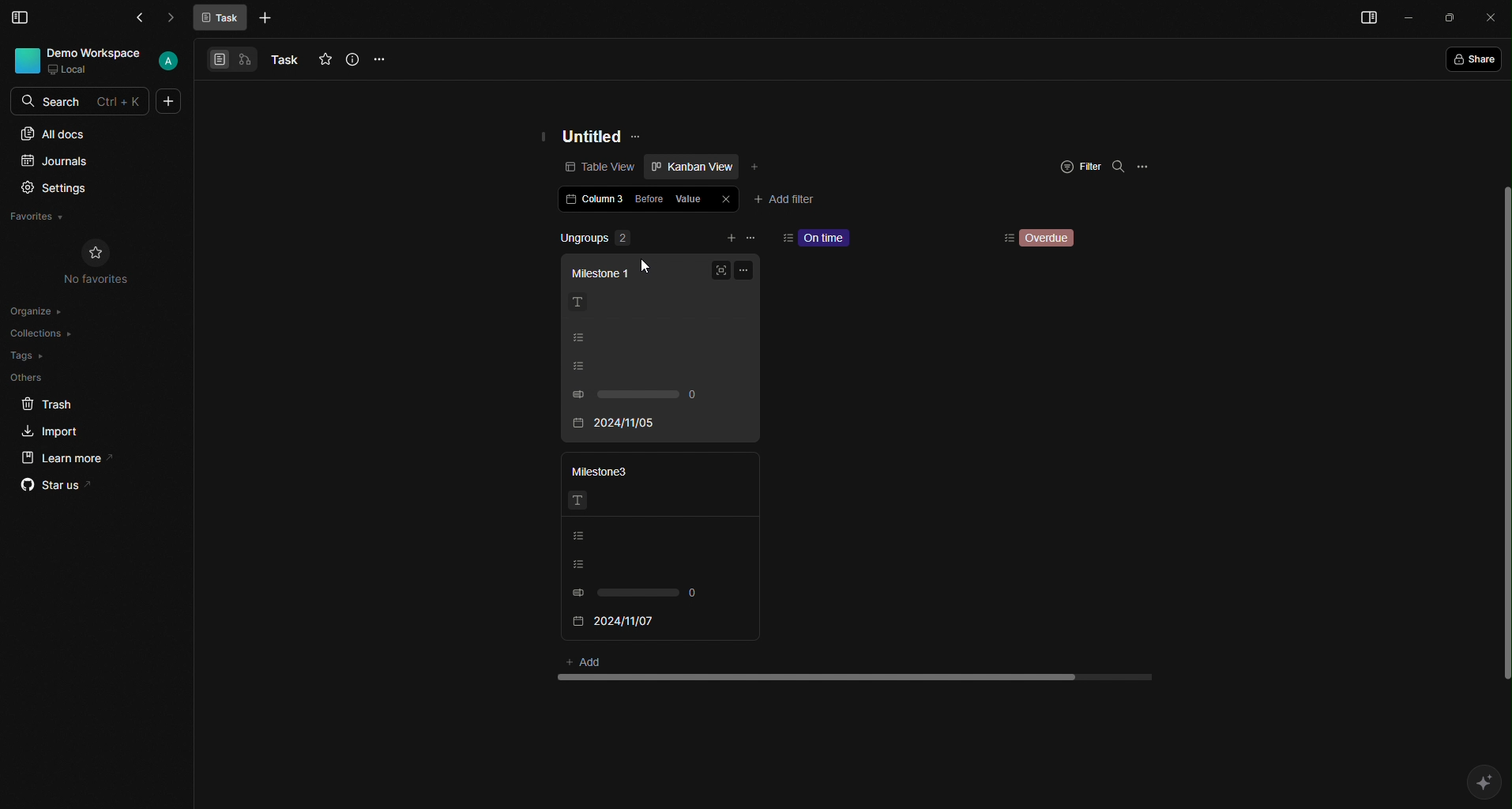 This screenshot has width=1512, height=809. I want to click on Filter, so click(1079, 164).